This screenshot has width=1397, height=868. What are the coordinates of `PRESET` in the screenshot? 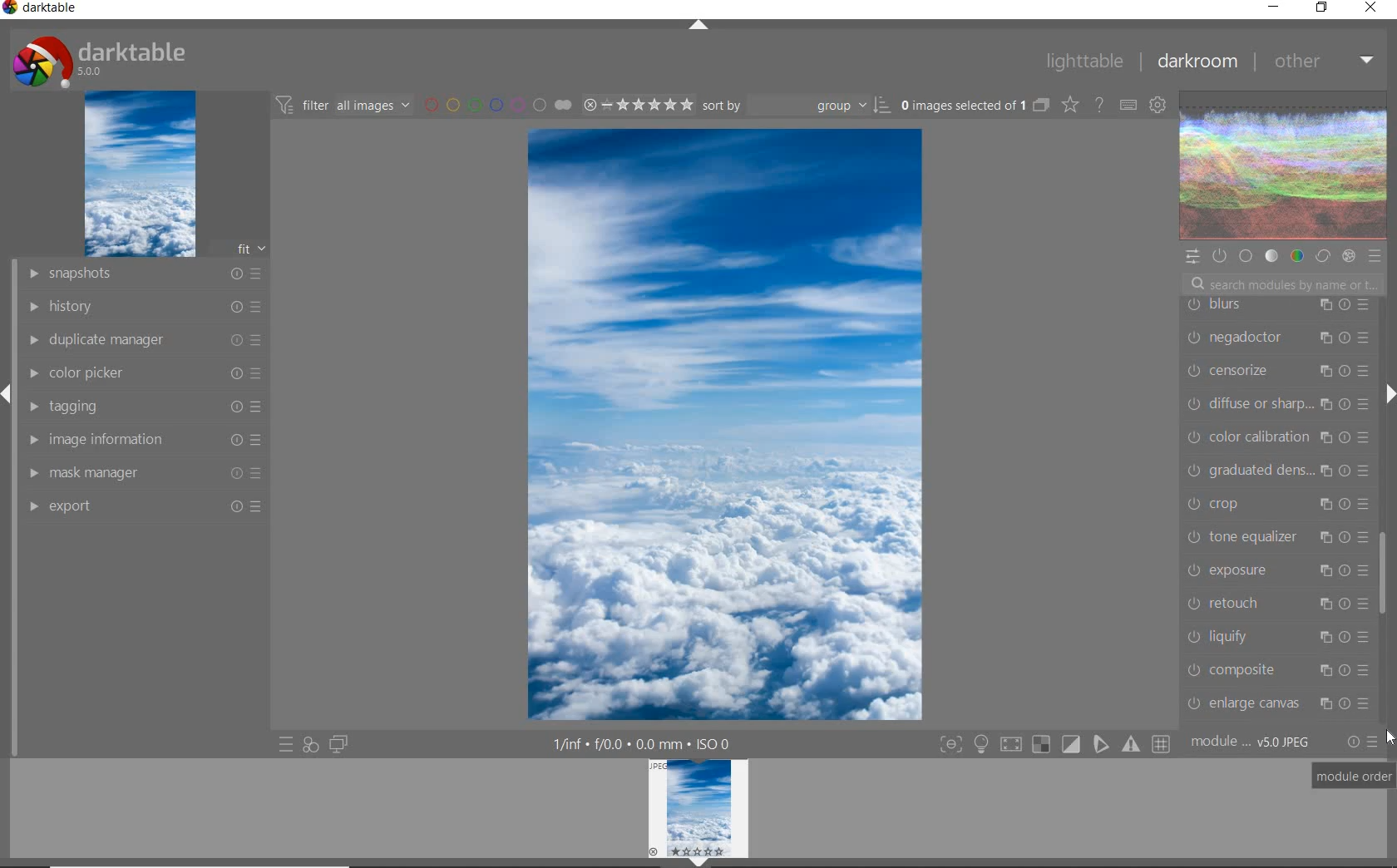 It's located at (1375, 256).